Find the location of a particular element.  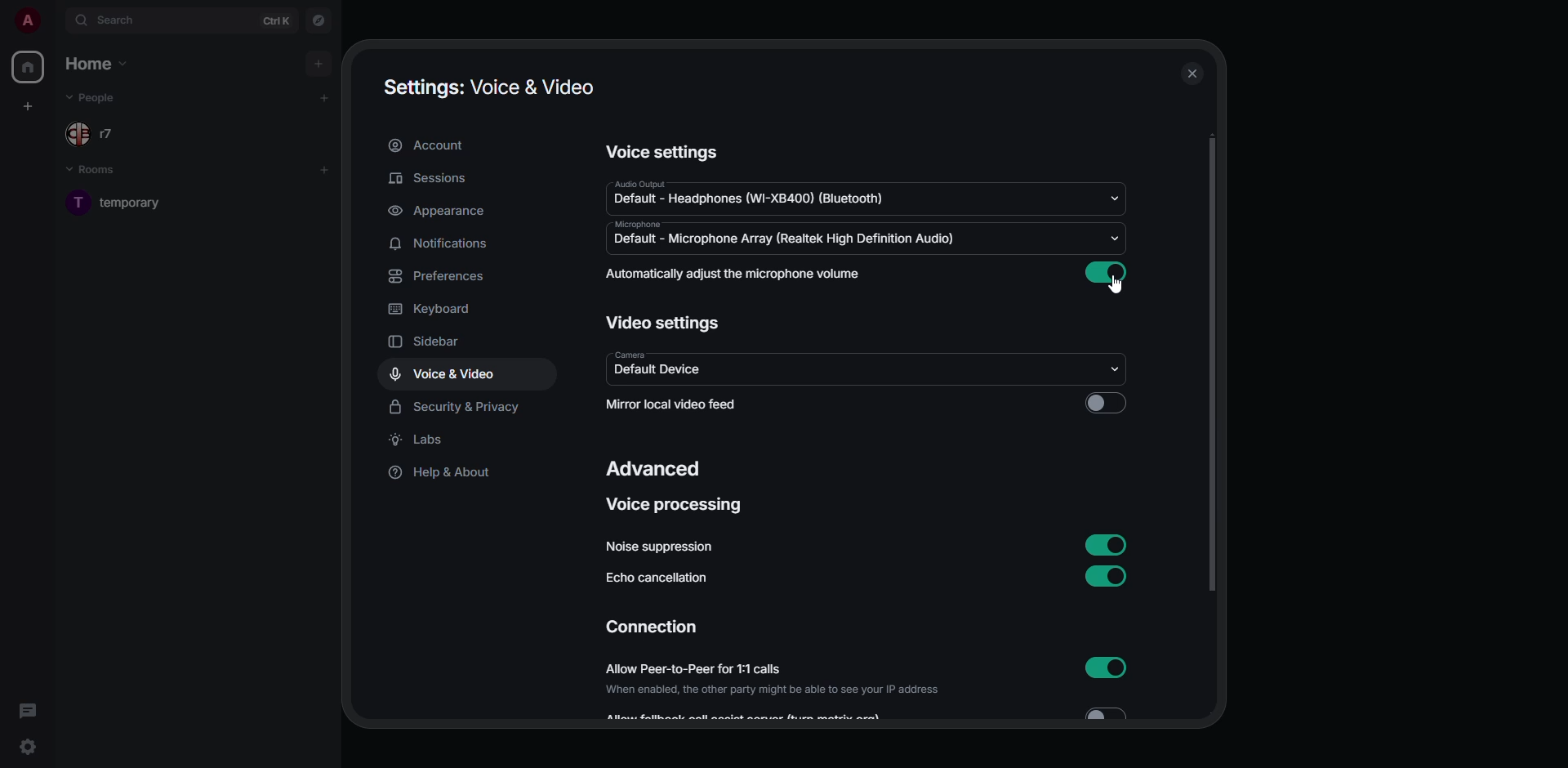

sidebar is located at coordinates (427, 342).